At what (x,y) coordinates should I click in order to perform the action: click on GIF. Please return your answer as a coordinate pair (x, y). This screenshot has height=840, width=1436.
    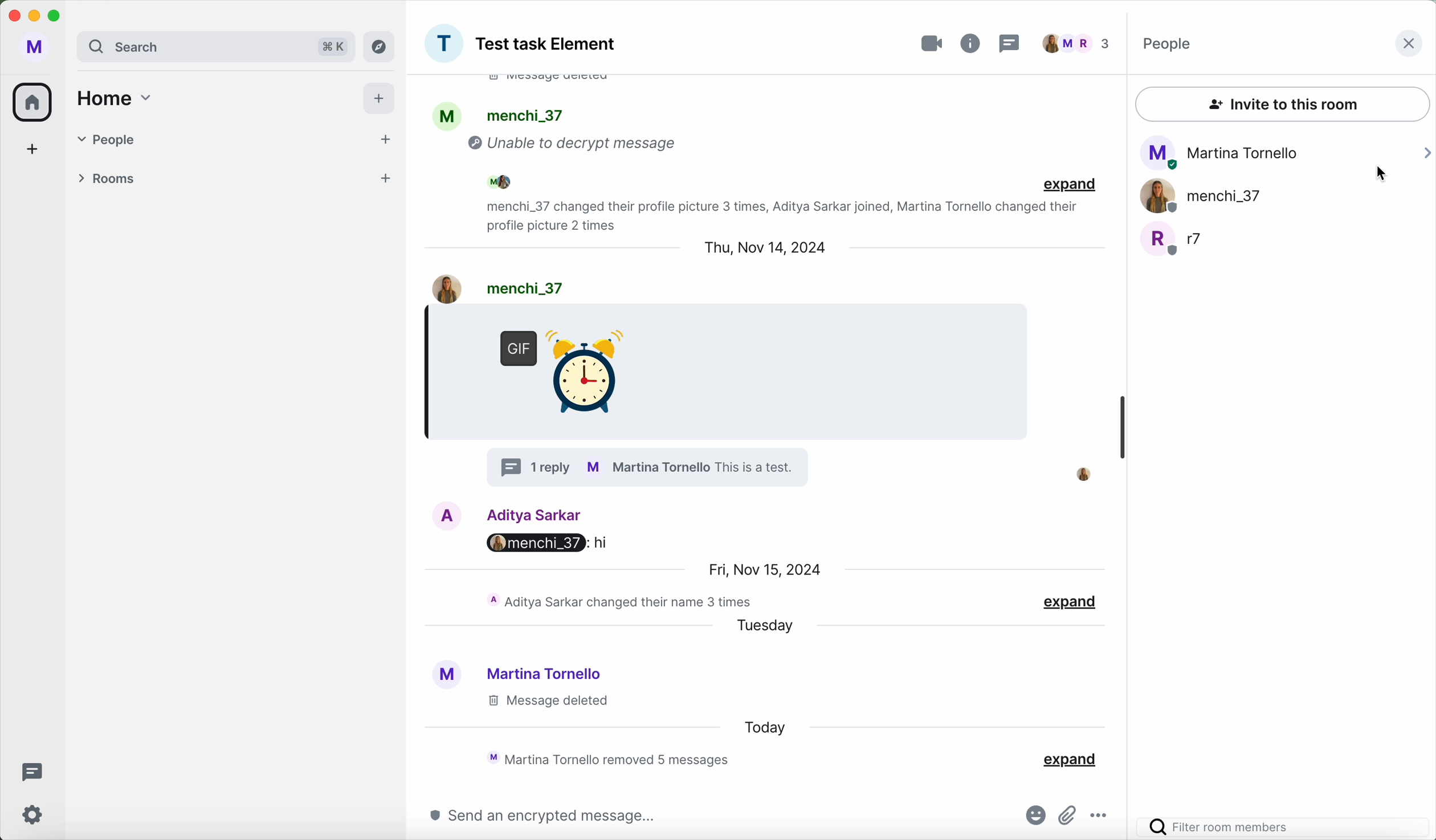
    Looking at the image, I should click on (556, 366).